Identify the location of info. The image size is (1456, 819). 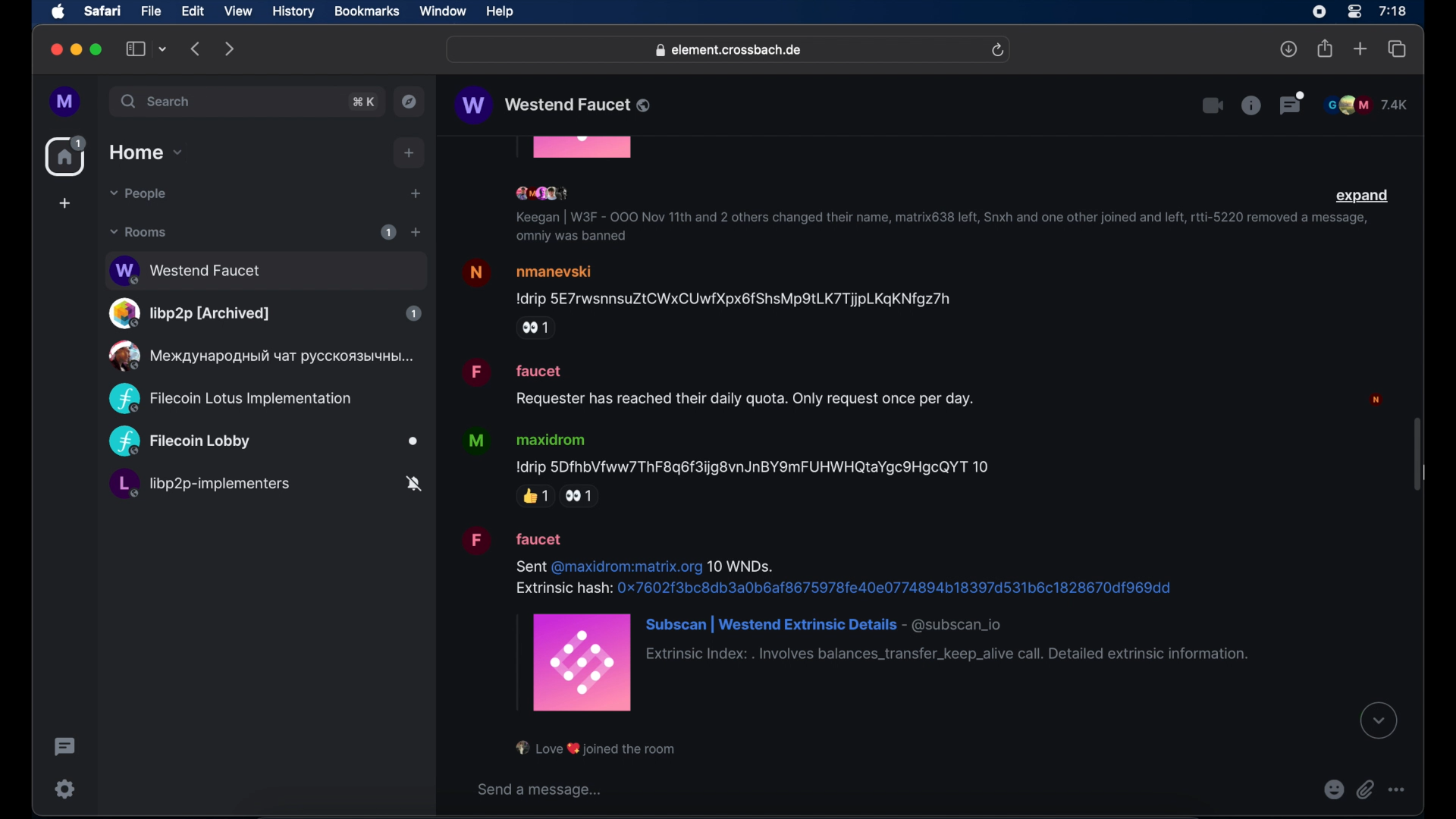
(937, 228).